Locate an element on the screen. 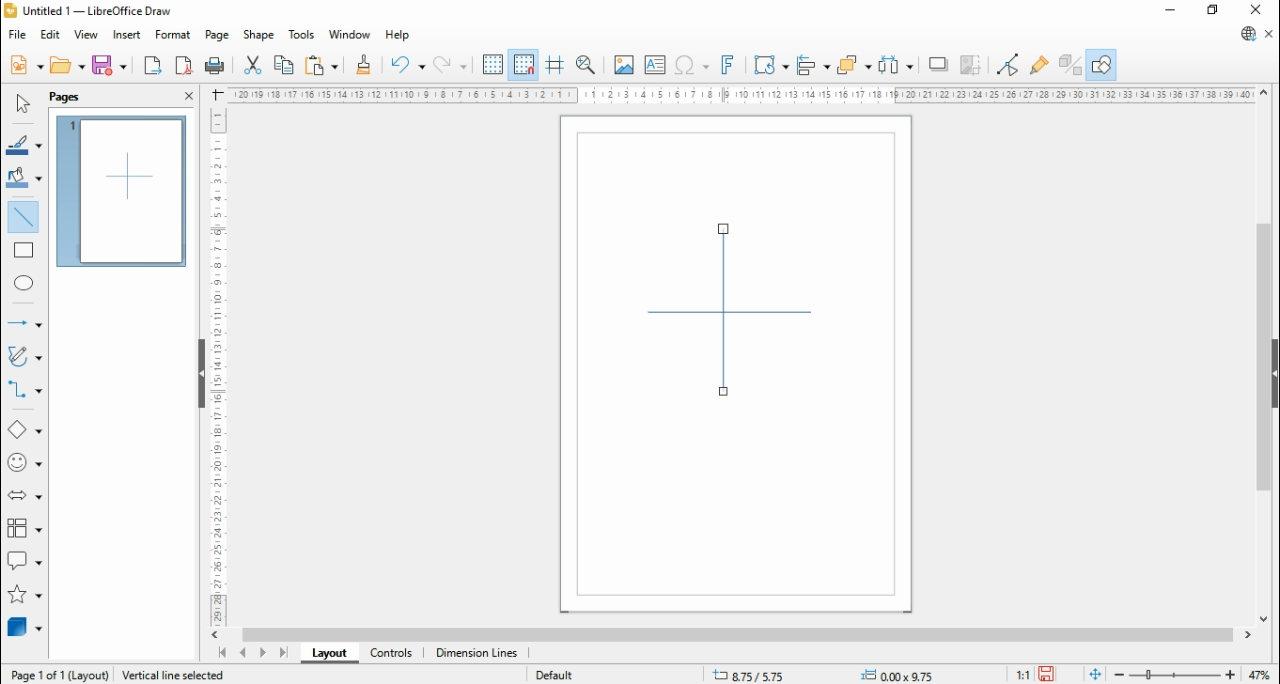  libreoffice update is located at coordinates (1247, 34).